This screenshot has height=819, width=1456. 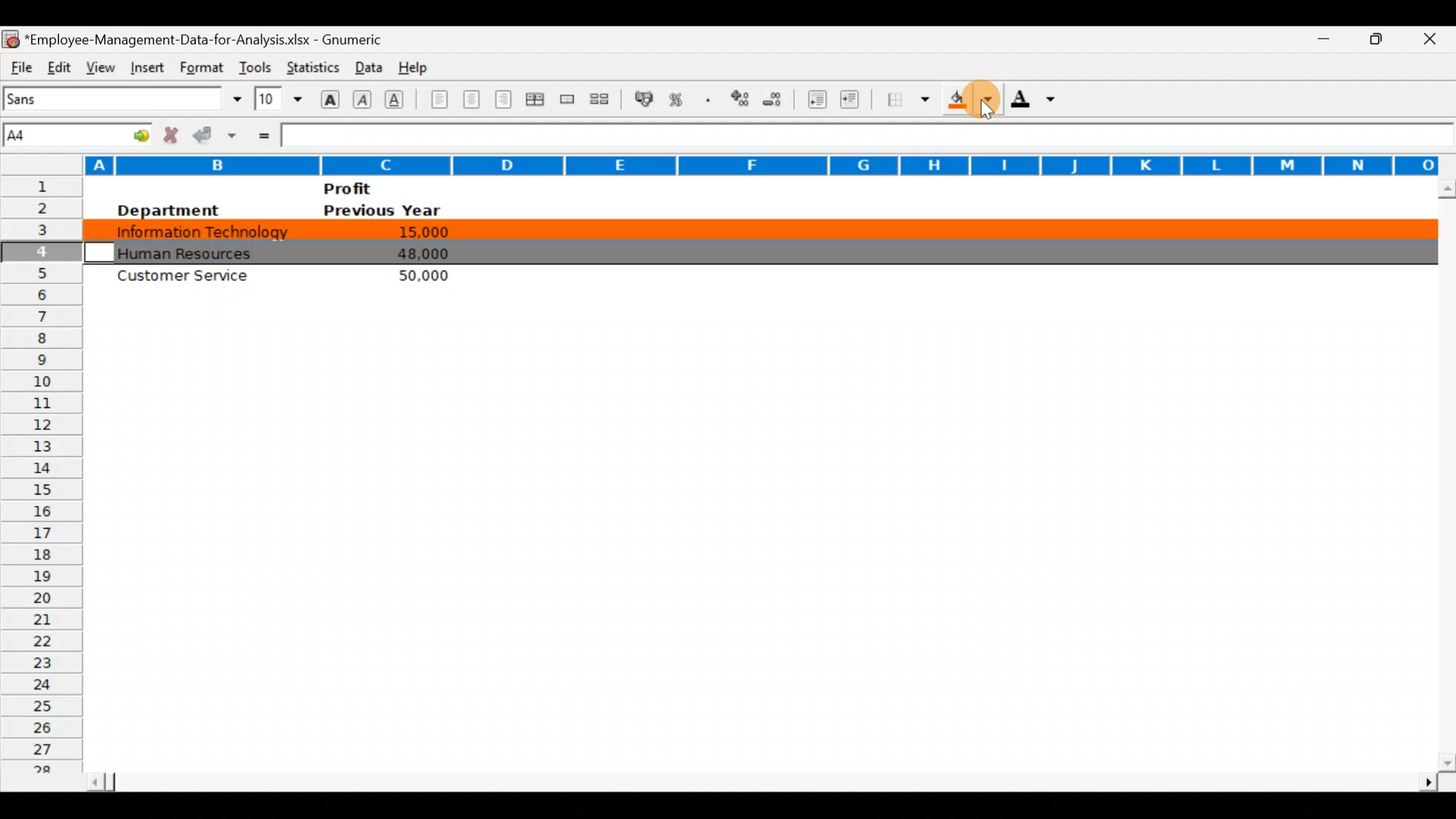 I want to click on File, so click(x=20, y=65).